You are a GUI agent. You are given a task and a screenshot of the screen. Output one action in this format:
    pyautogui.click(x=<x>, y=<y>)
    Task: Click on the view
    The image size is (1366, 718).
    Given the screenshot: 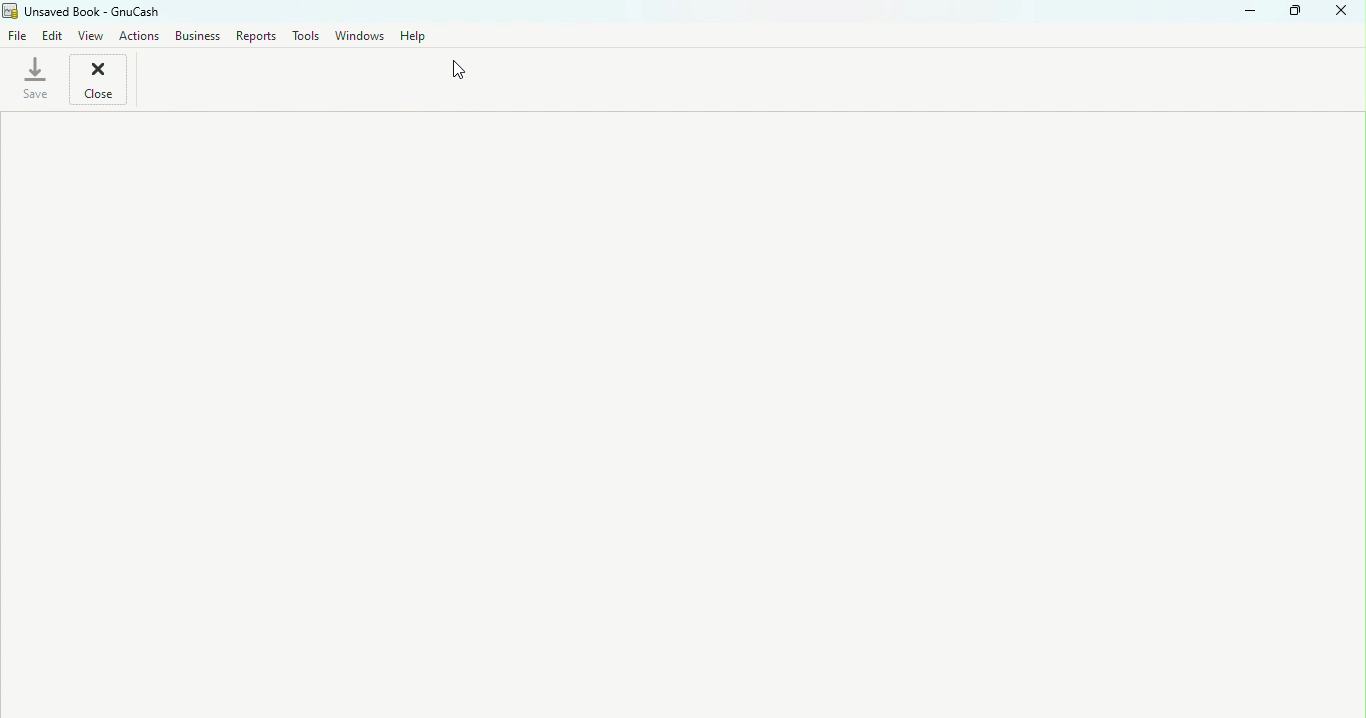 What is the action you would take?
    pyautogui.click(x=93, y=37)
    